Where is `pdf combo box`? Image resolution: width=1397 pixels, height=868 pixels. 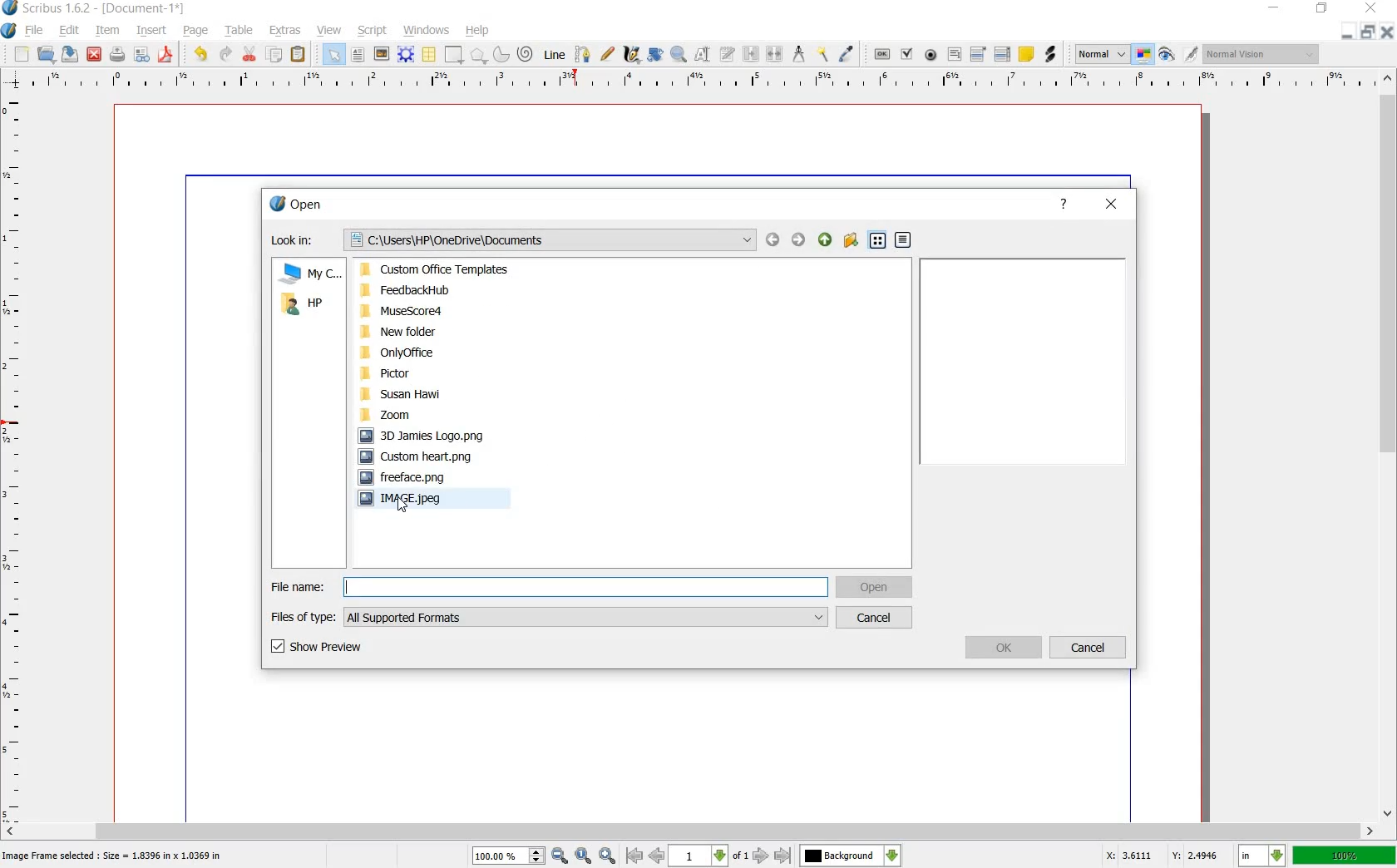 pdf combo box is located at coordinates (978, 55).